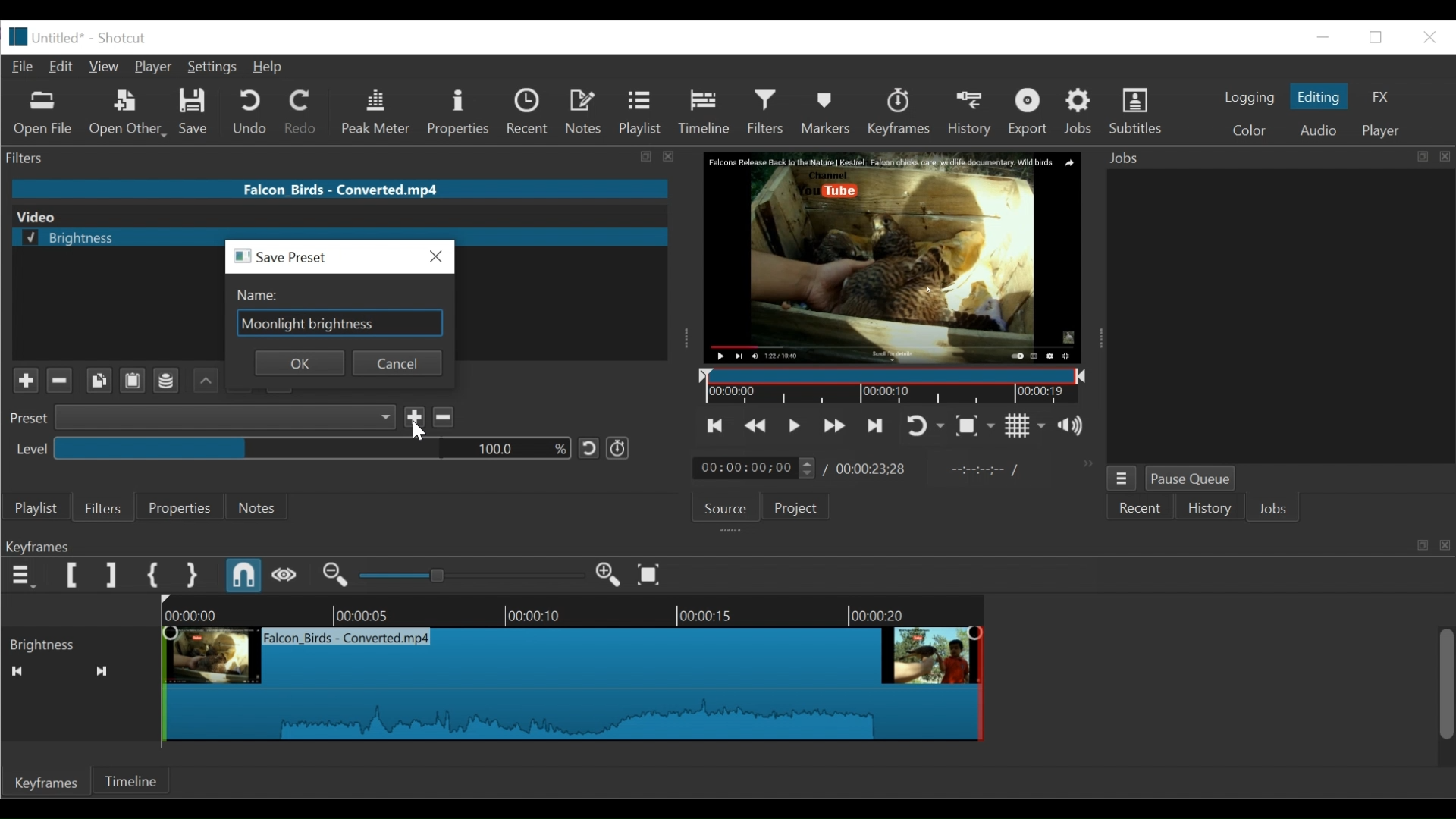 This screenshot has height=819, width=1456. I want to click on Zoom keyframe to fit, so click(653, 573).